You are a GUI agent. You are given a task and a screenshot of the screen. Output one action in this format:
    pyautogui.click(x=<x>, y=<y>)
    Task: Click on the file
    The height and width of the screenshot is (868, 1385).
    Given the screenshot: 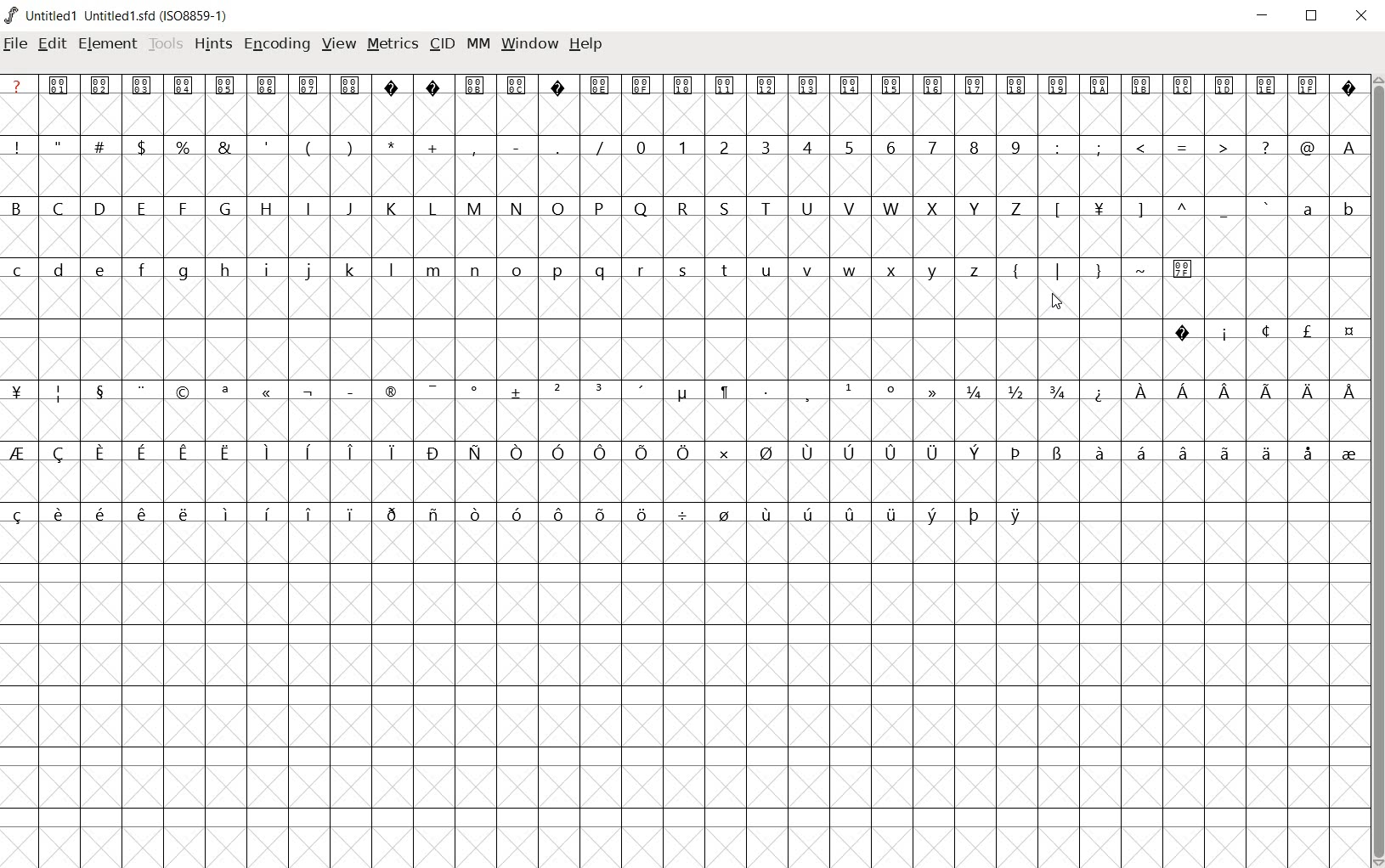 What is the action you would take?
    pyautogui.click(x=14, y=45)
    